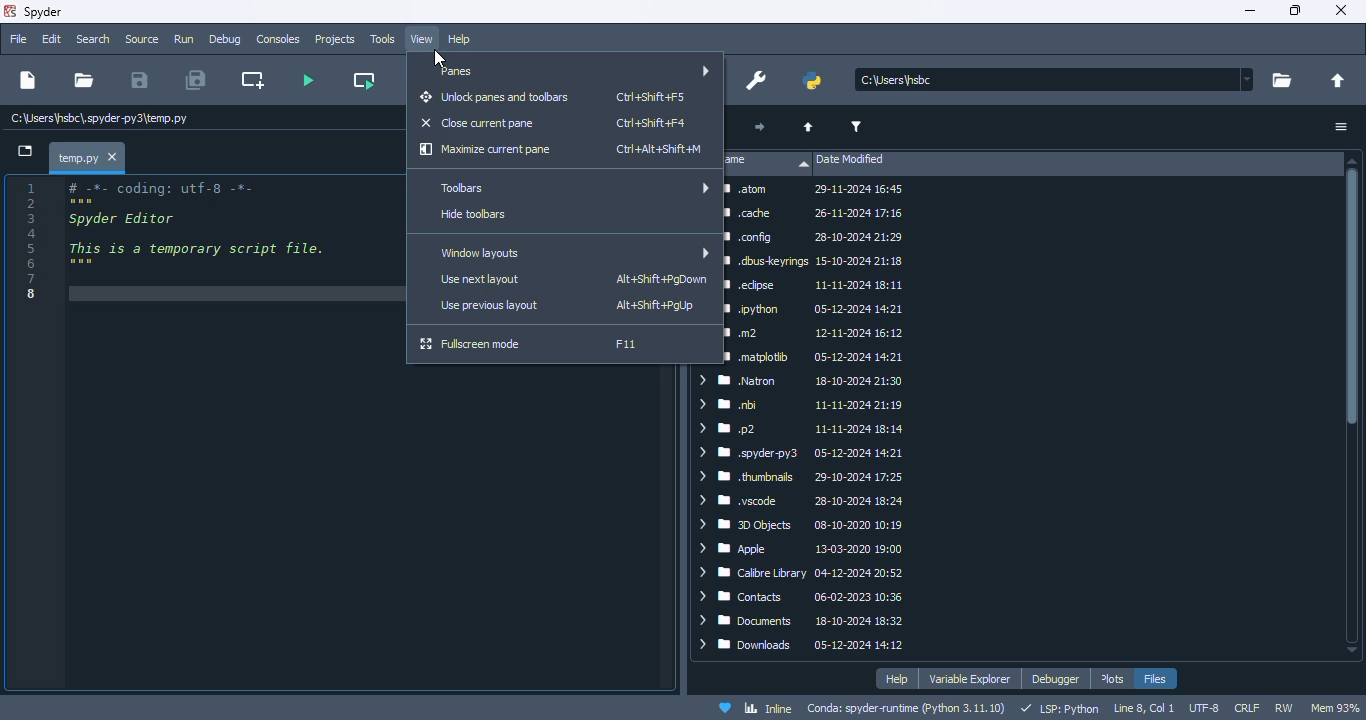 The width and height of the screenshot is (1366, 720). I want to click on next, so click(757, 127).